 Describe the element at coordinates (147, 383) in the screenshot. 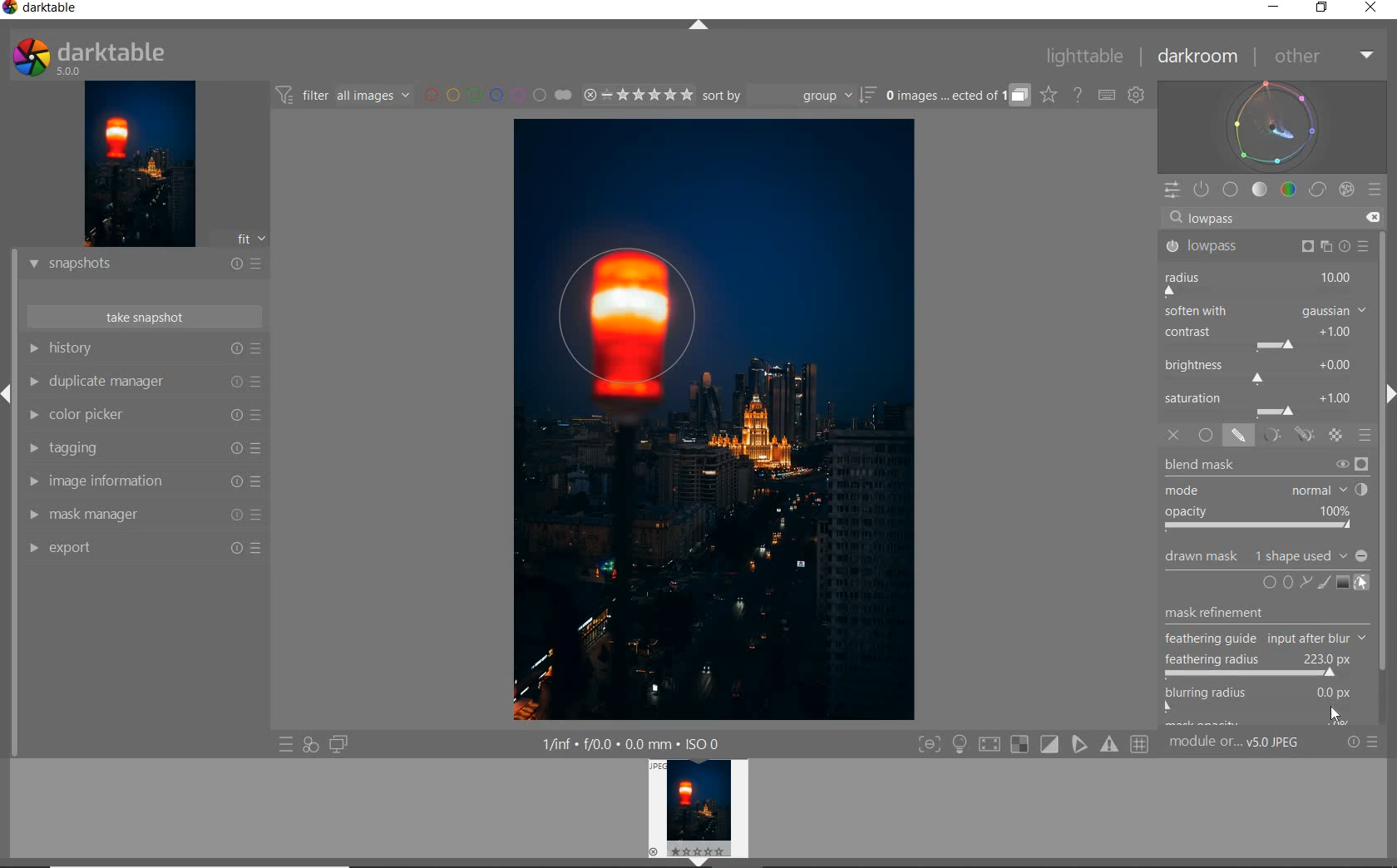

I see `DUPLICATE MANAGER` at that location.